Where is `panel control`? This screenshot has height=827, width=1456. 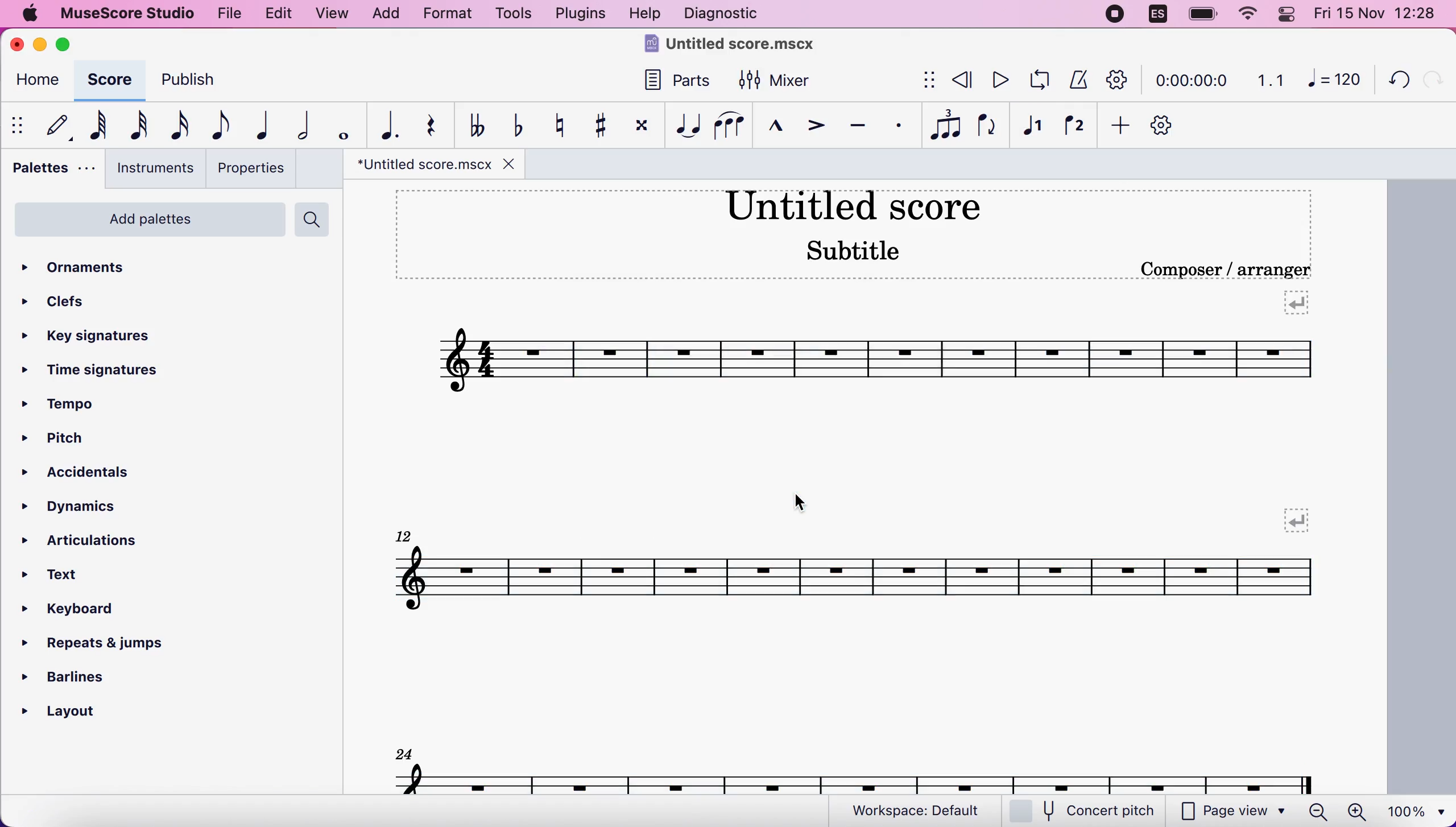 panel control is located at coordinates (1289, 14).